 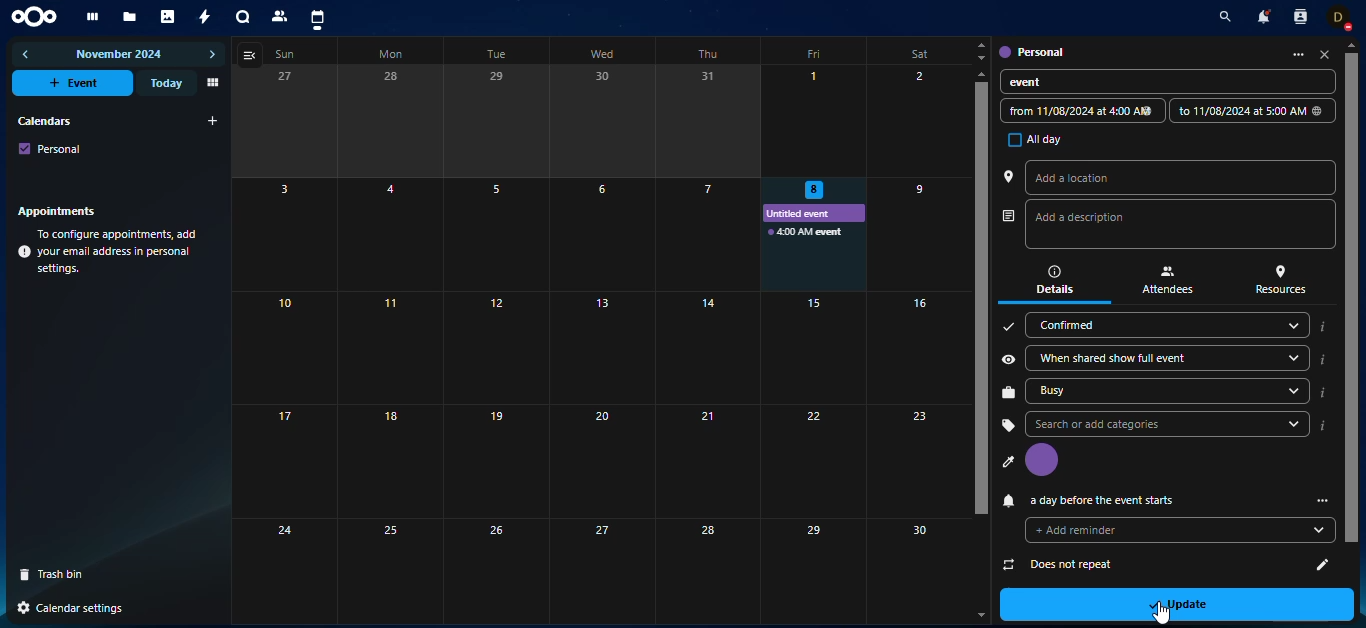 I want to click on calendar, so click(x=317, y=19).